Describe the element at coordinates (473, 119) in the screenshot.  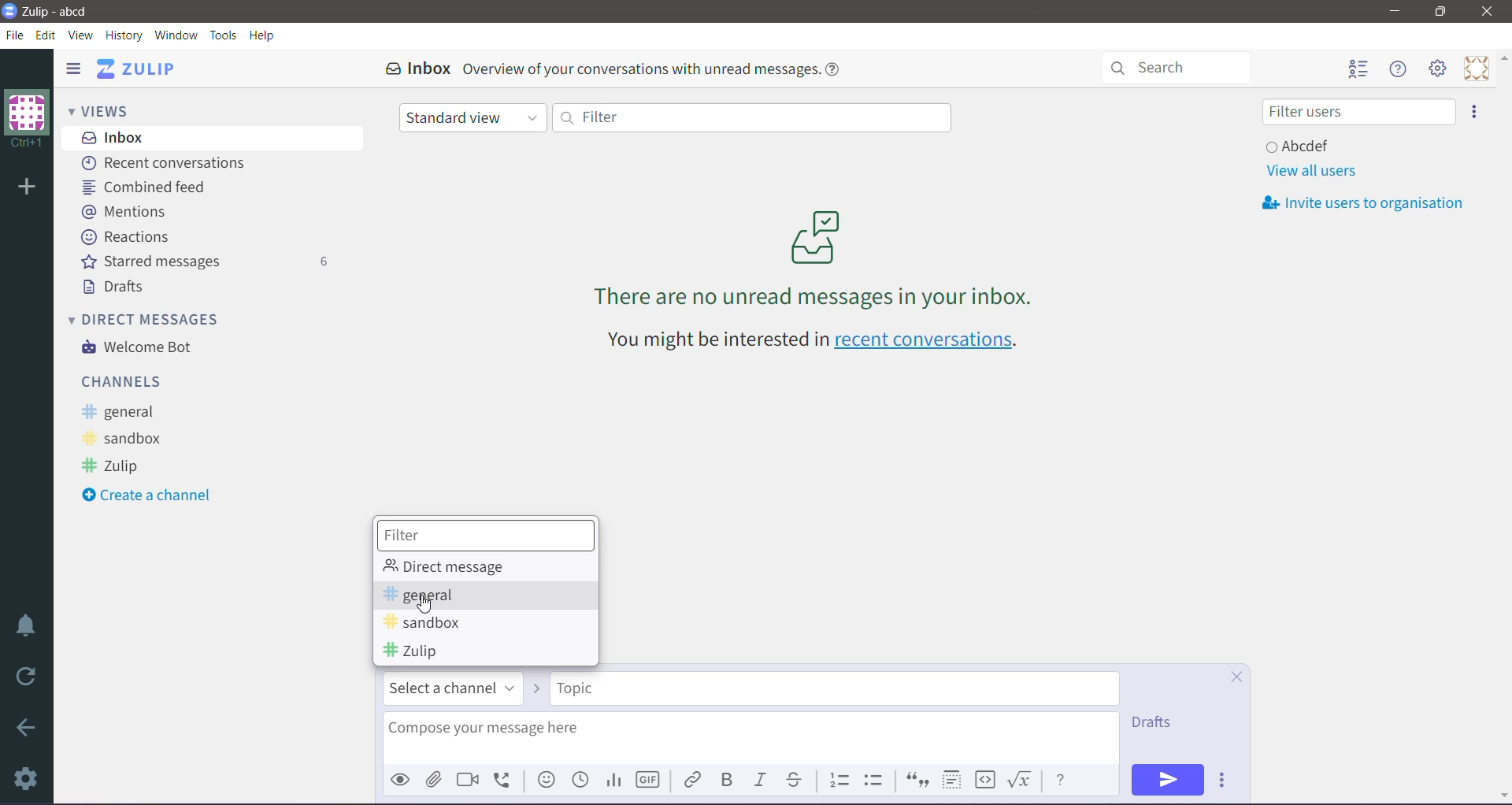
I see `Standard view` at that location.